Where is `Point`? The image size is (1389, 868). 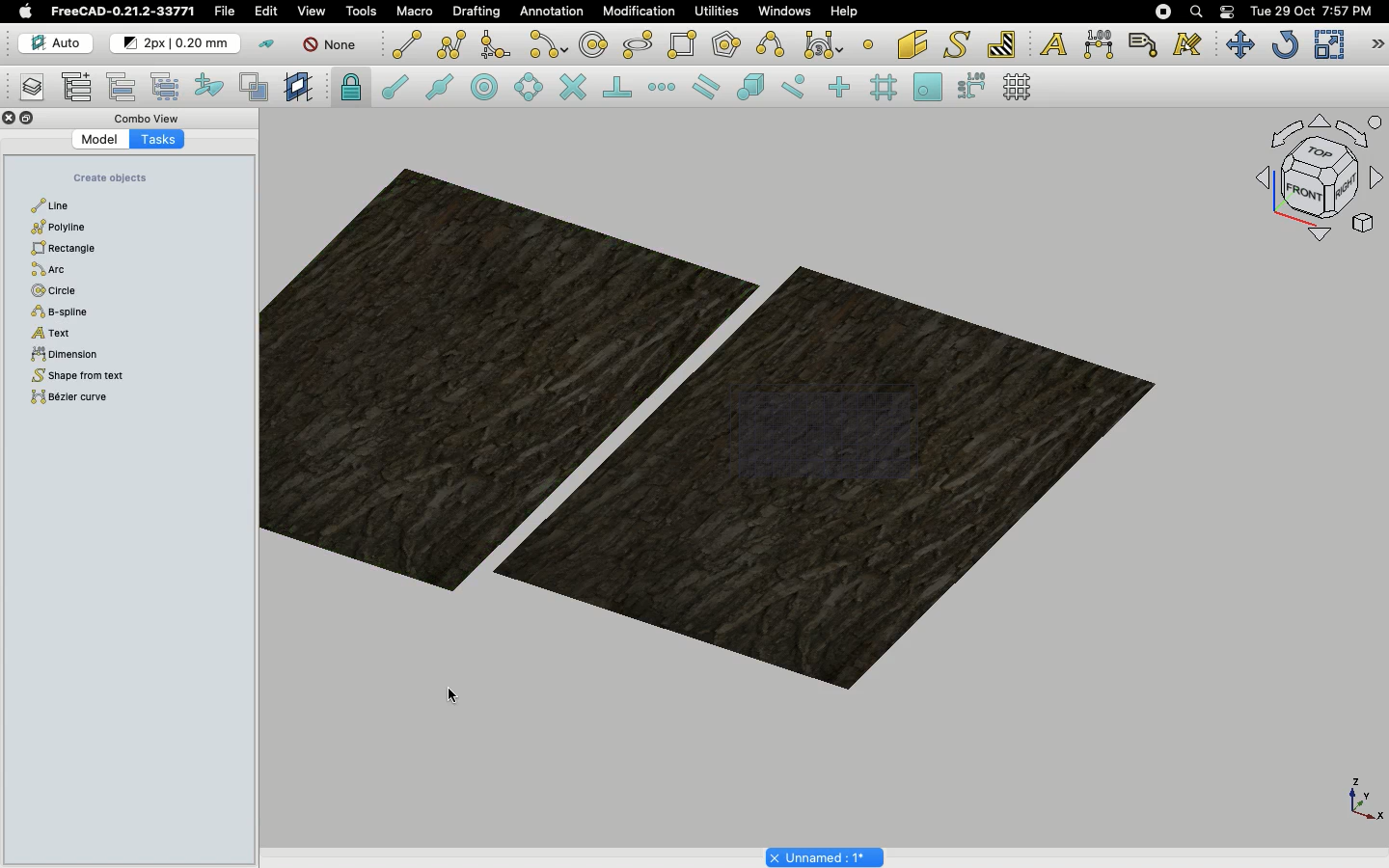 Point is located at coordinates (868, 42).